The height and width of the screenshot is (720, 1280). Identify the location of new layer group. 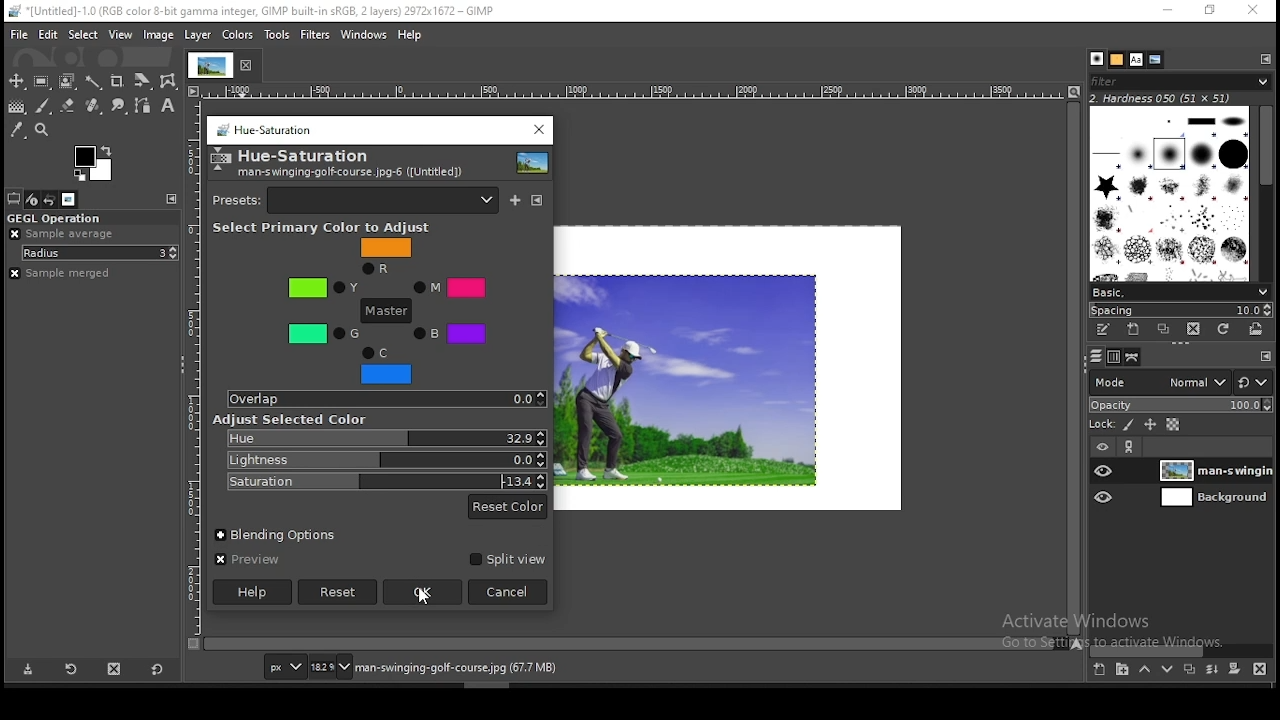
(1098, 670).